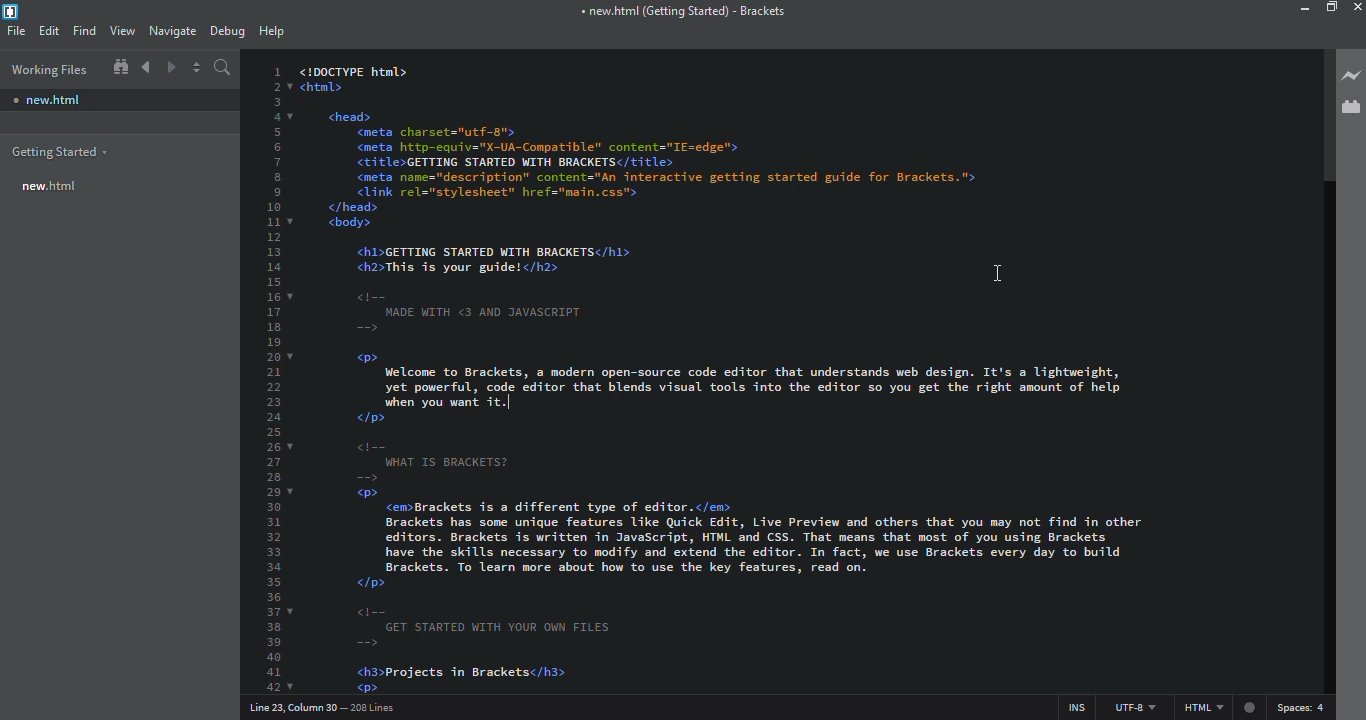 Image resolution: width=1366 pixels, height=720 pixels. Describe the element at coordinates (146, 67) in the screenshot. I see `navigate back` at that location.